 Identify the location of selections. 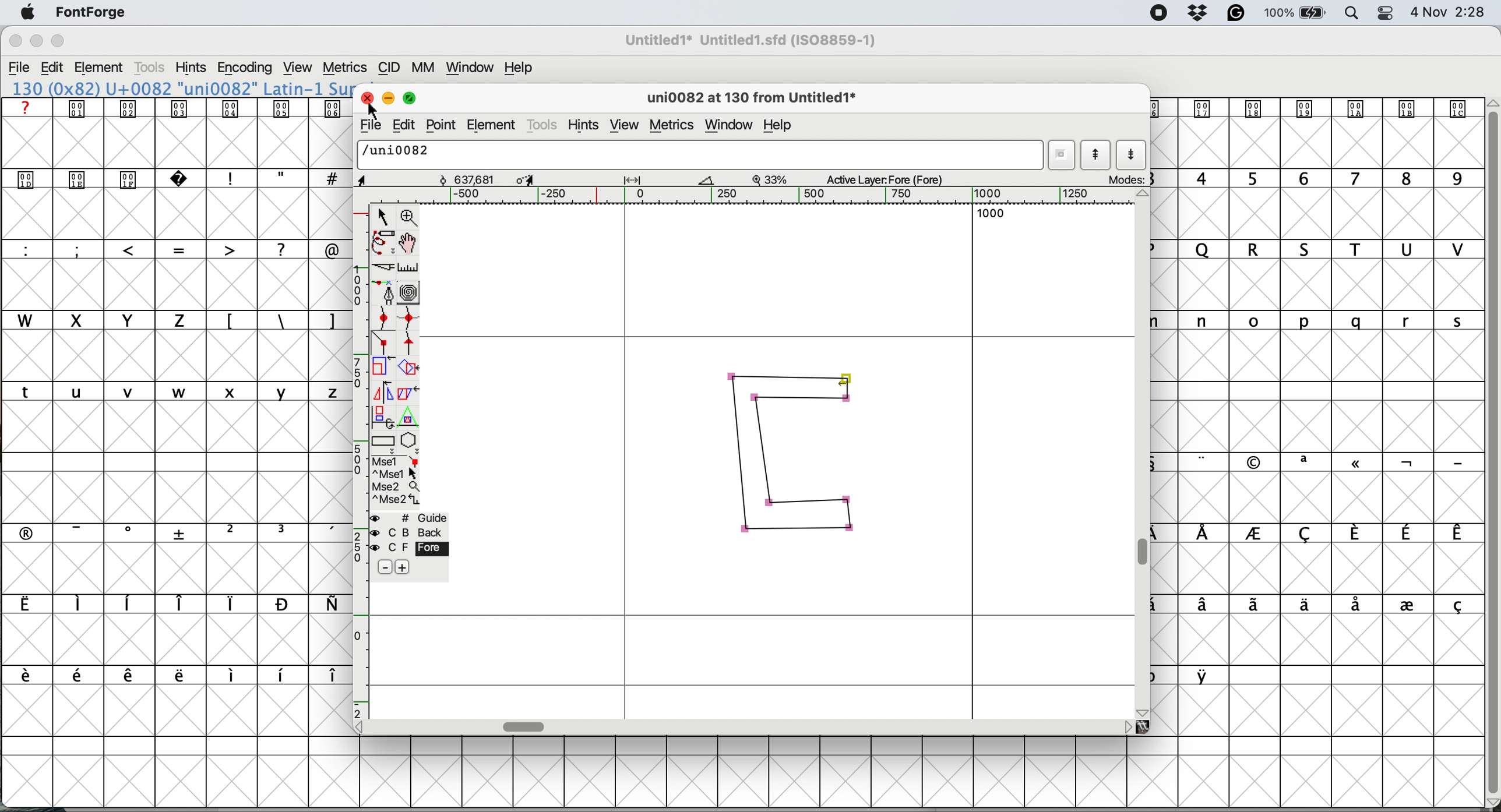
(397, 482).